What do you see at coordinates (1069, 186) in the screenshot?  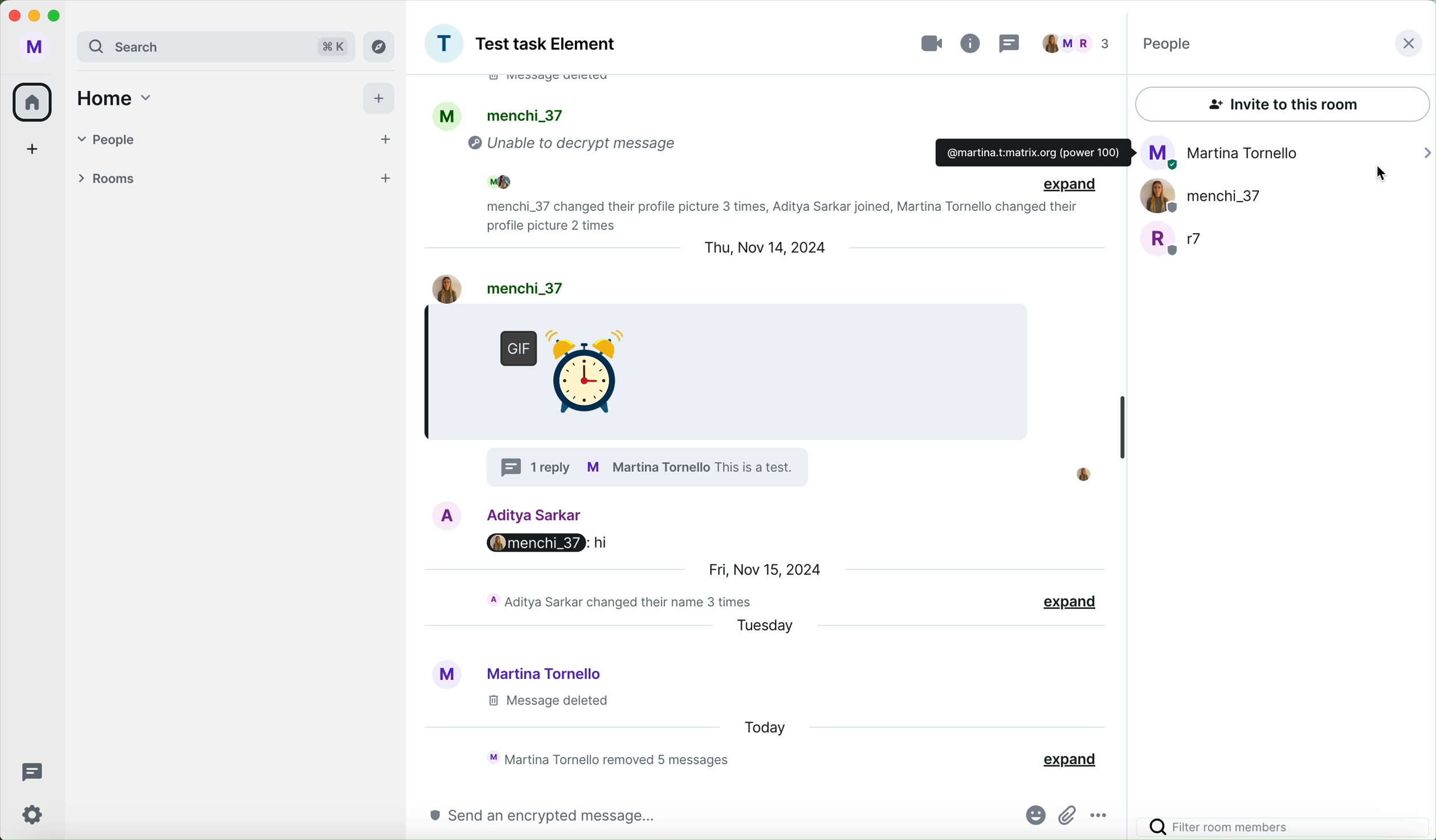 I see `expand` at bounding box center [1069, 186].